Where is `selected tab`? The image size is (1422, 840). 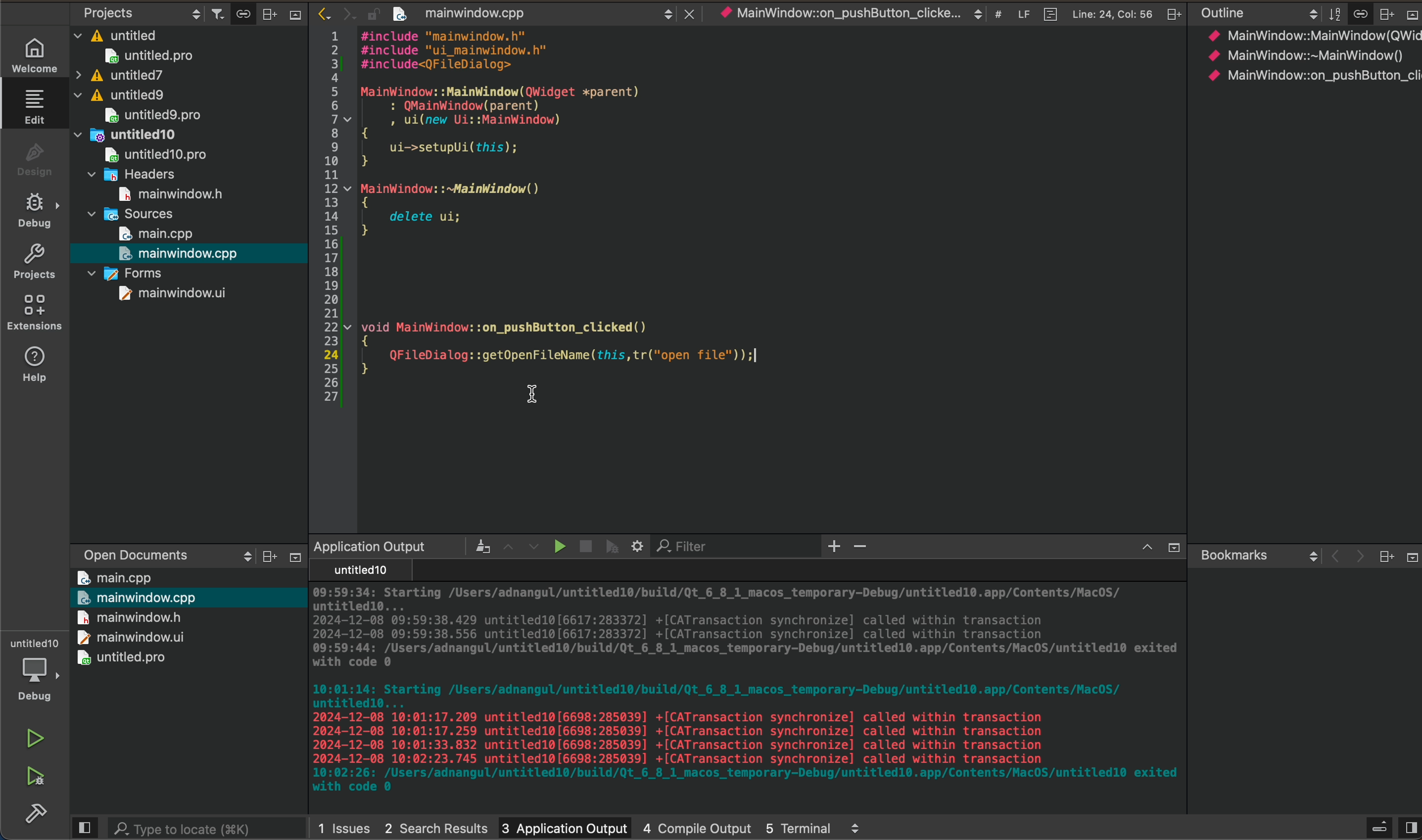 selected tab is located at coordinates (40, 105).